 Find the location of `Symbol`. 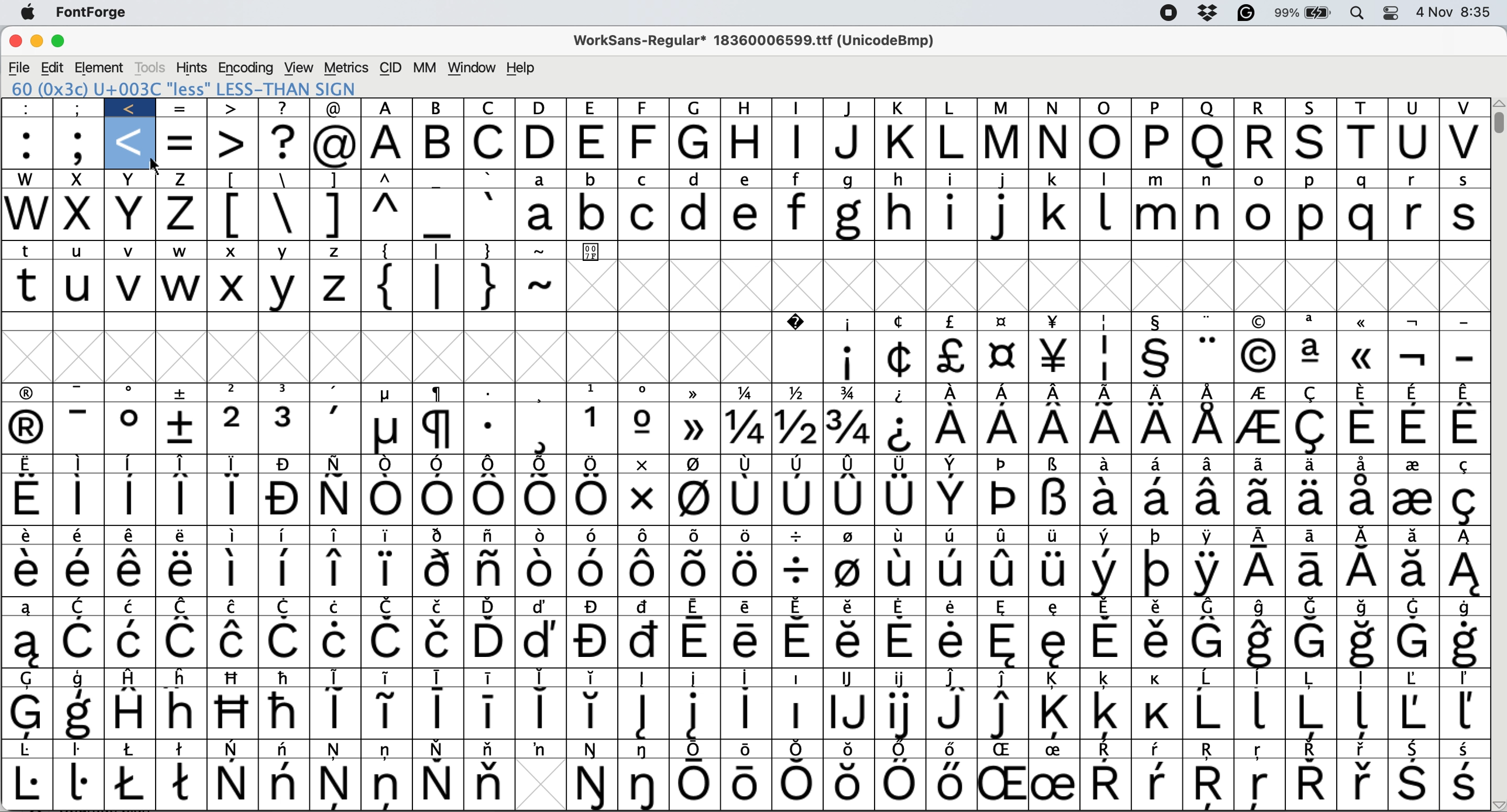

Symbol is located at coordinates (1002, 714).